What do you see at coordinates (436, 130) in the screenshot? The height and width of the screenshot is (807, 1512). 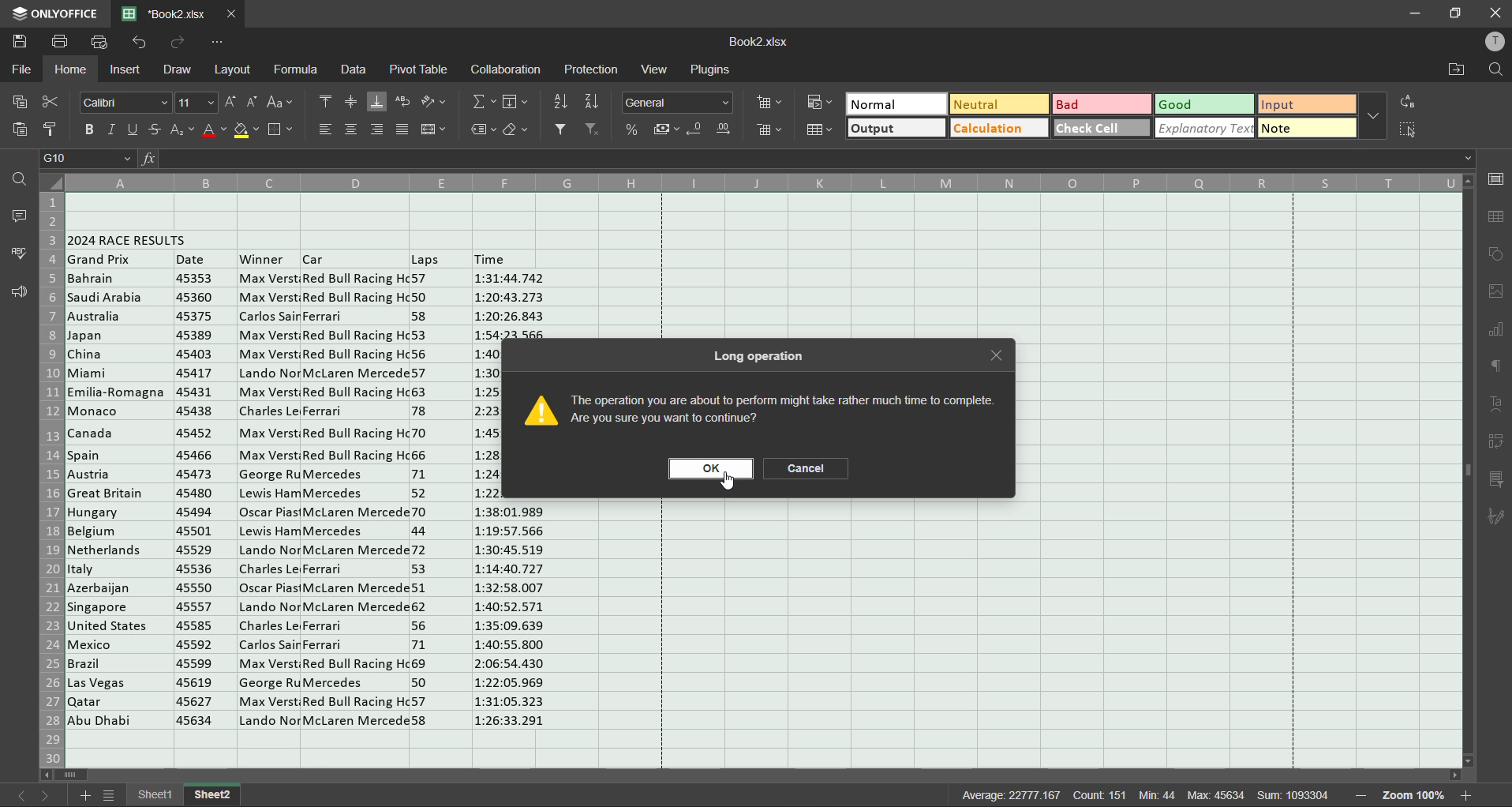 I see `merge and center` at bounding box center [436, 130].